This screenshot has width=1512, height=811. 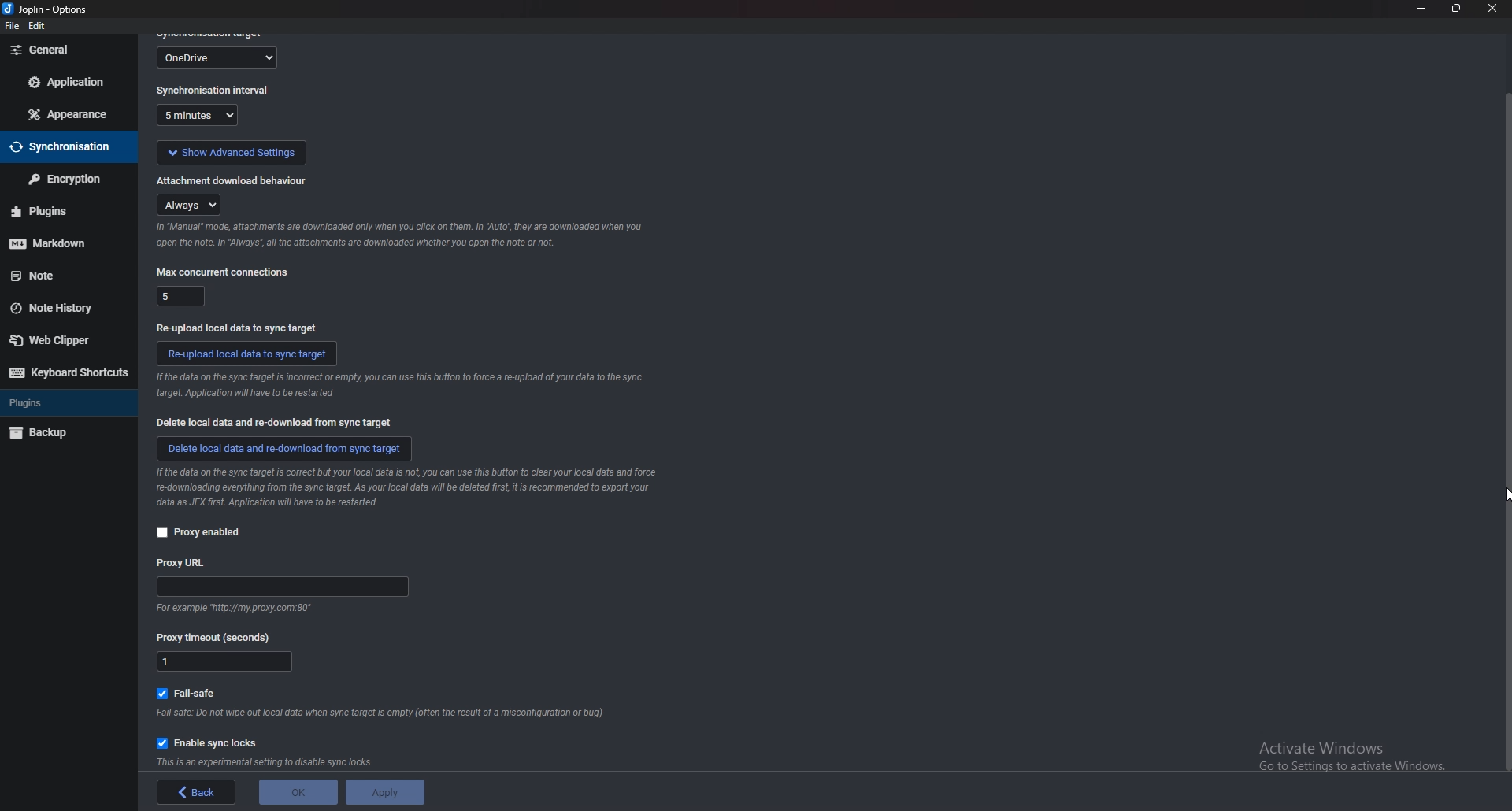 What do you see at coordinates (62, 342) in the screenshot?
I see `web clipper` at bounding box center [62, 342].